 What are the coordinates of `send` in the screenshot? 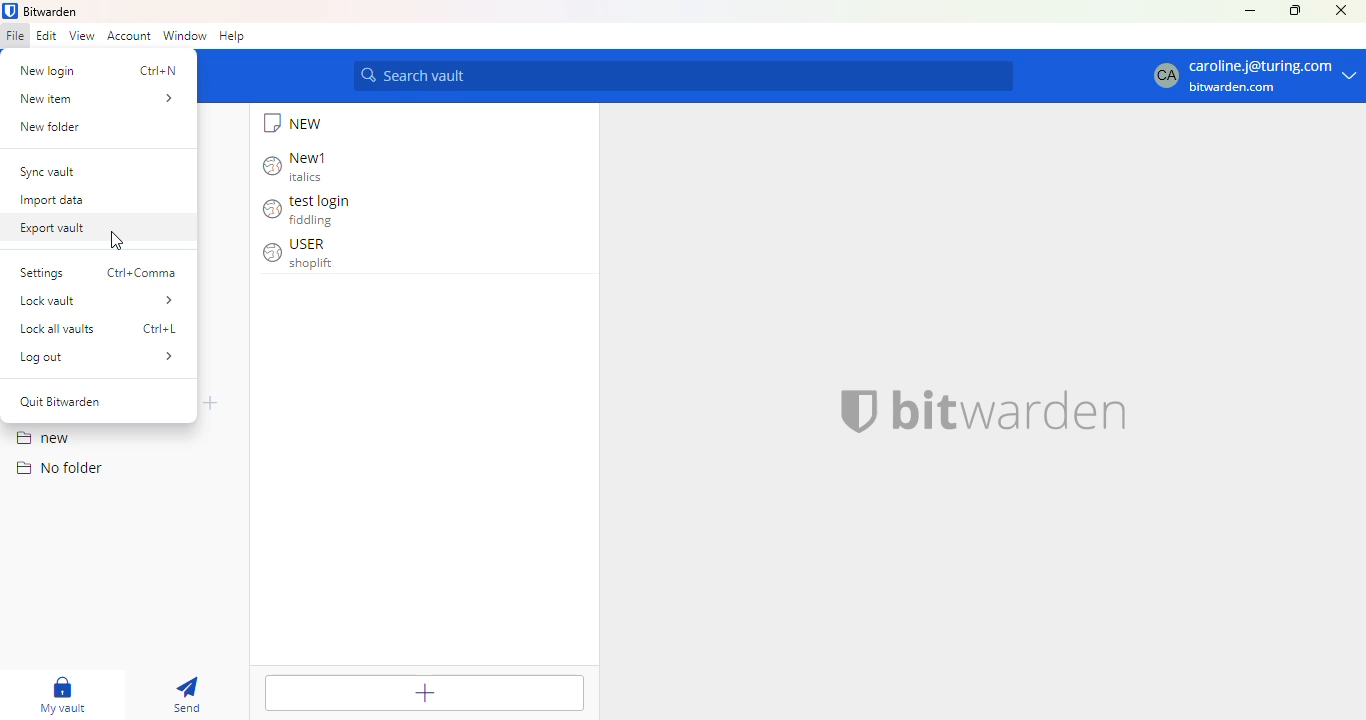 It's located at (185, 694).